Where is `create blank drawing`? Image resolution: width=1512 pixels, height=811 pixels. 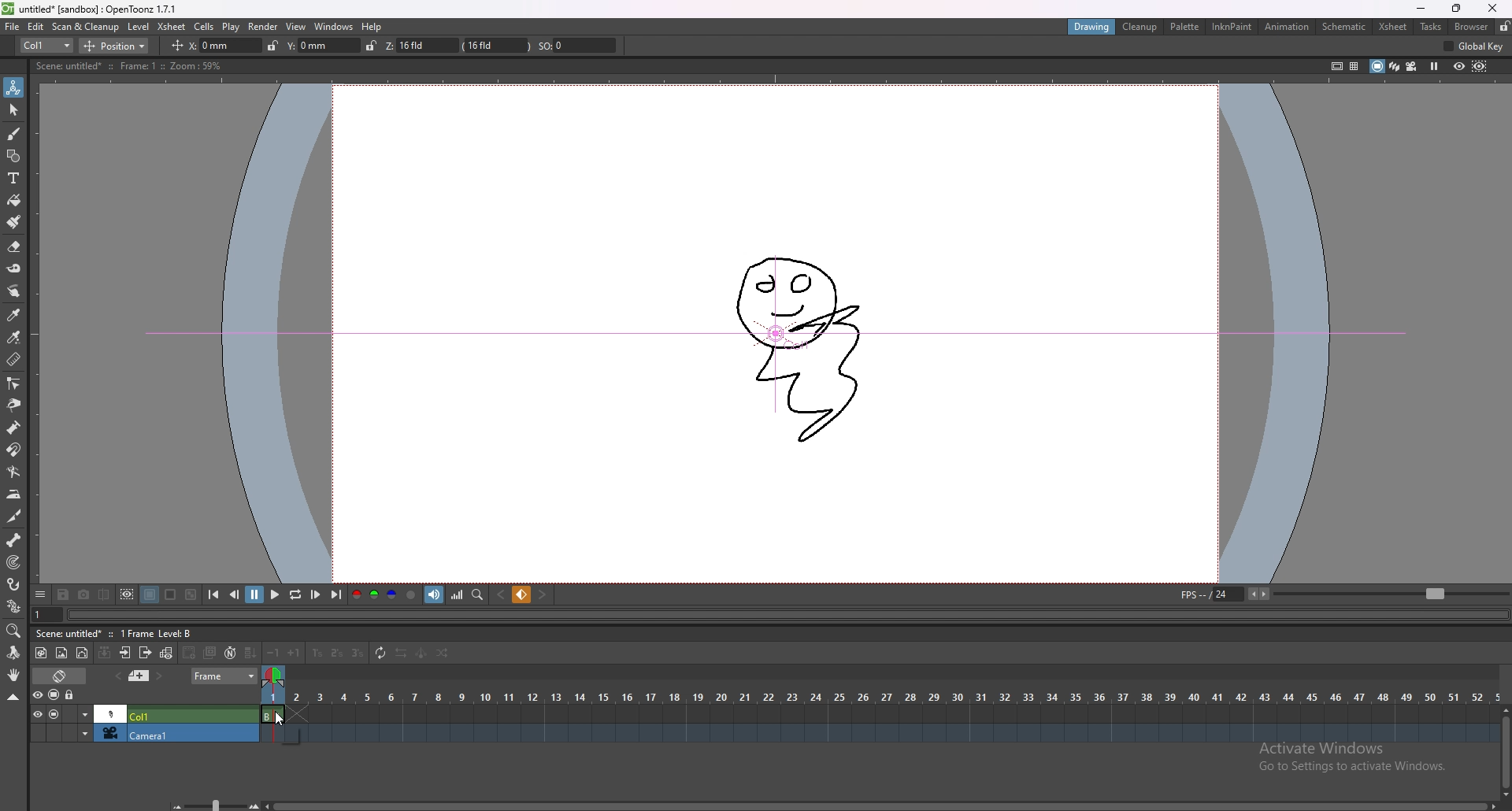 create blank drawing is located at coordinates (190, 652).